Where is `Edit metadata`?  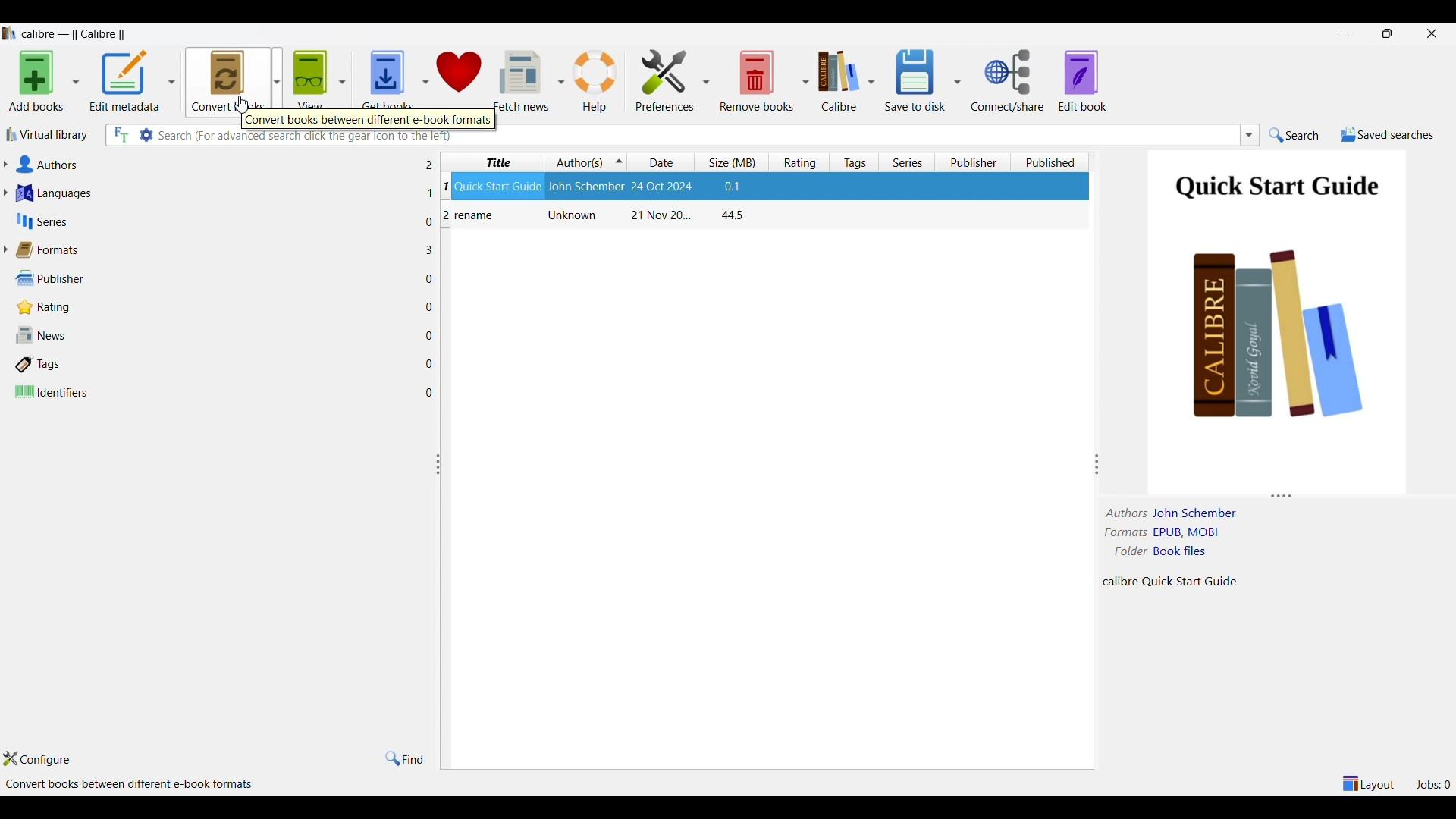
Edit metadata is located at coordinates (125, 81).